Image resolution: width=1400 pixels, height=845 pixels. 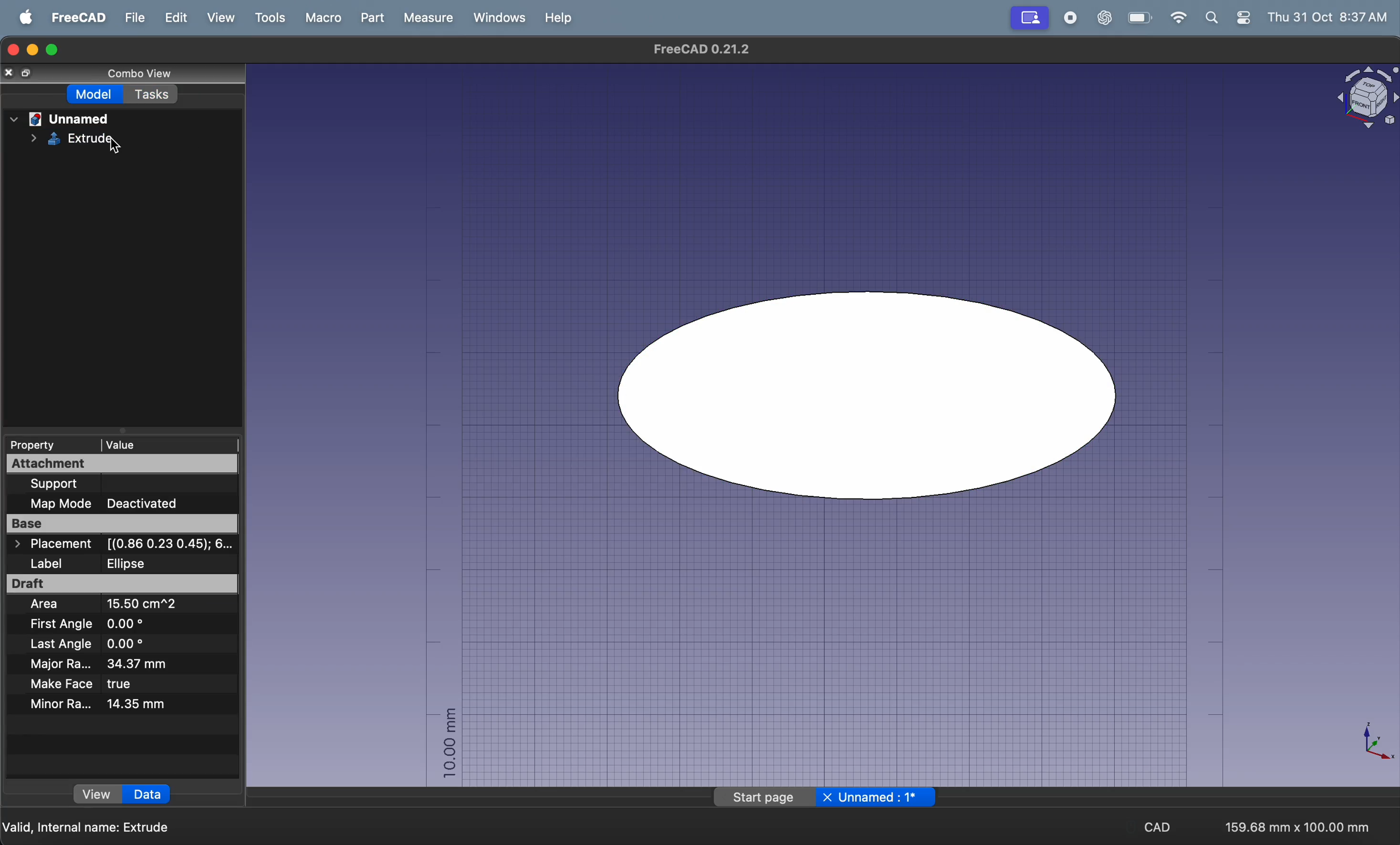 I want to click on apple menu, so click(x=20, y=18).